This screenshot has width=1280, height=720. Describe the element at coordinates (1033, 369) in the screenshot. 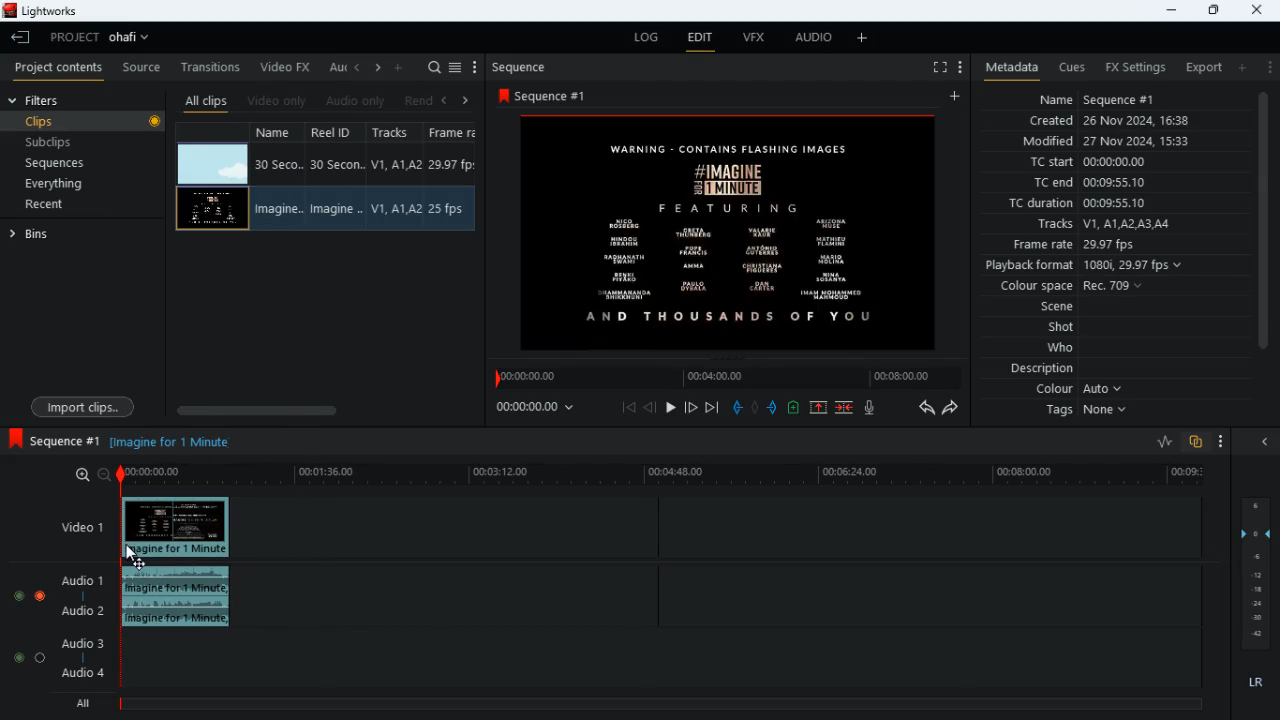

I see `description` at that location.